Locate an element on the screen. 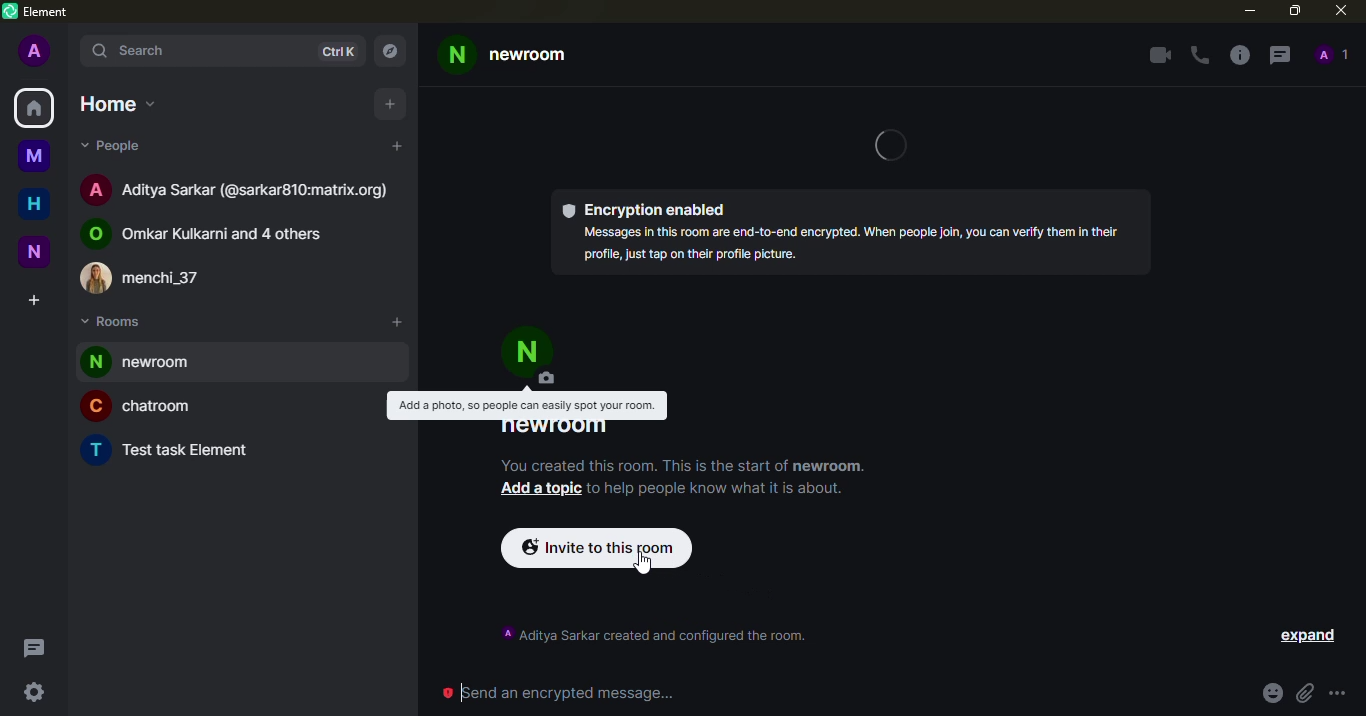 This screenshot has height=716, width=1366. people is located at coordinates (1330, 54).